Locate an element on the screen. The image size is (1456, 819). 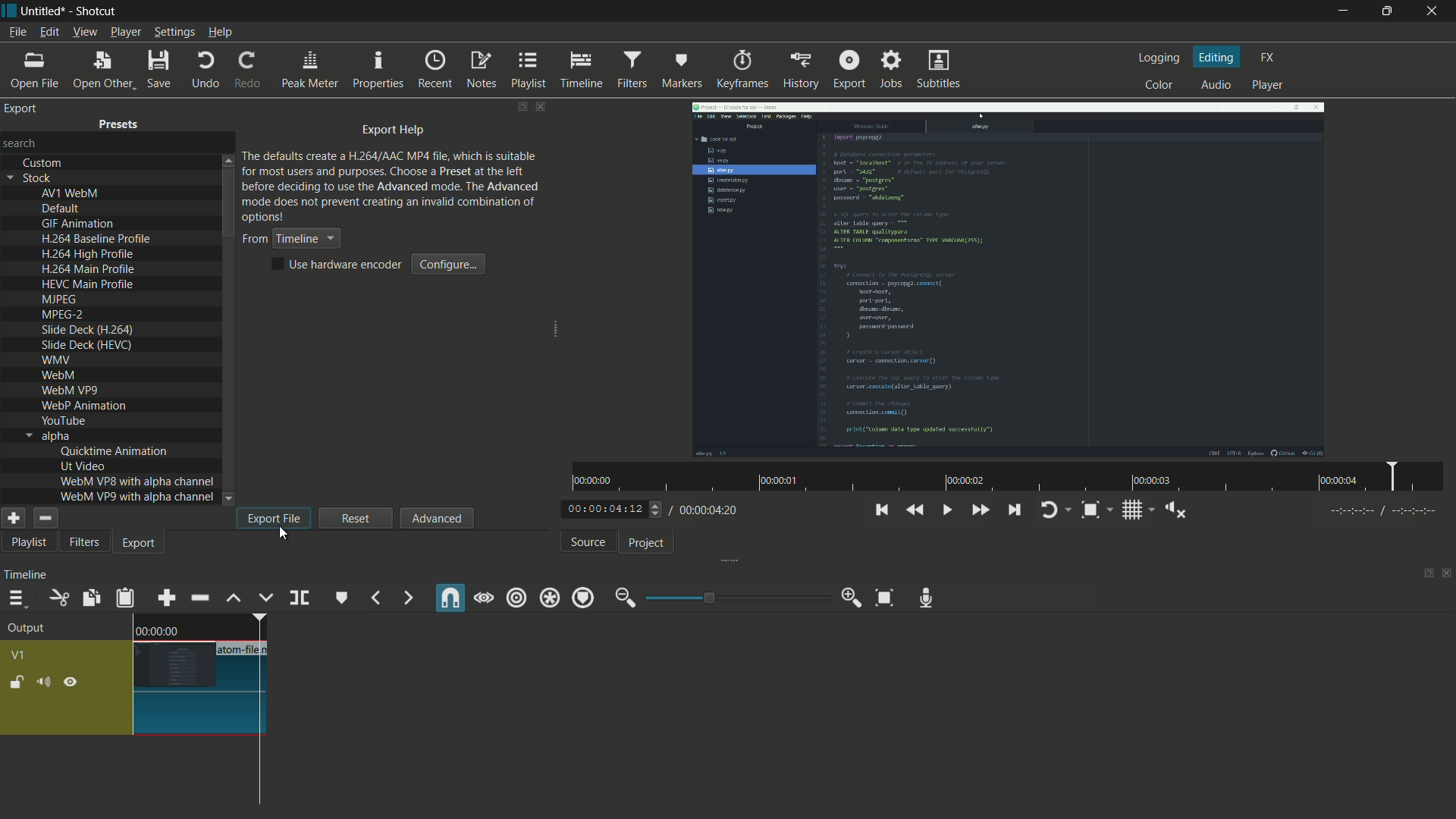
show volume control is located at coordinates (1175, 511).